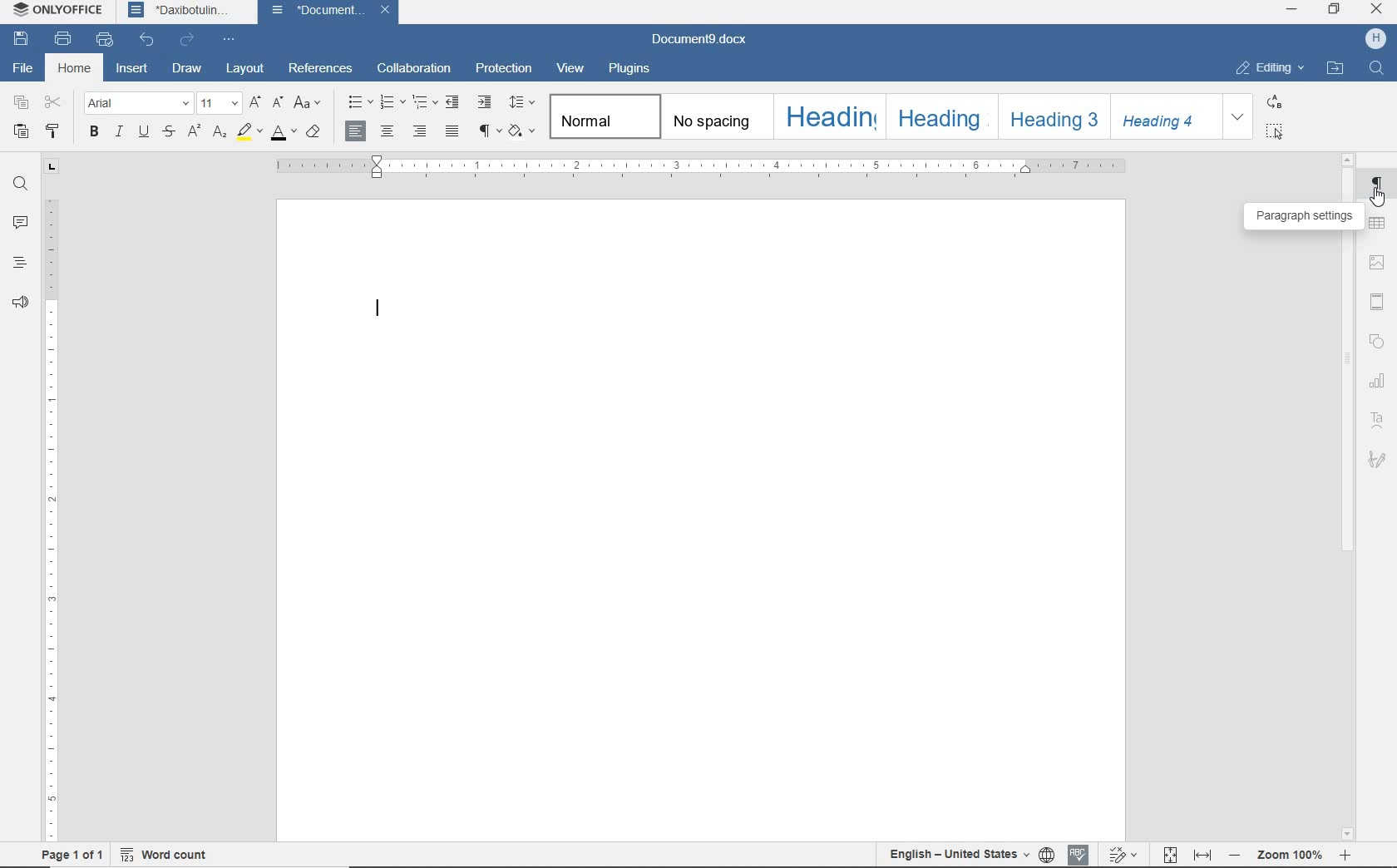 The image size is (1397, 868). What do you see at coordinates (50, 167) in the screenshot?
I see `tab stop` at bounding box center [50, 167].